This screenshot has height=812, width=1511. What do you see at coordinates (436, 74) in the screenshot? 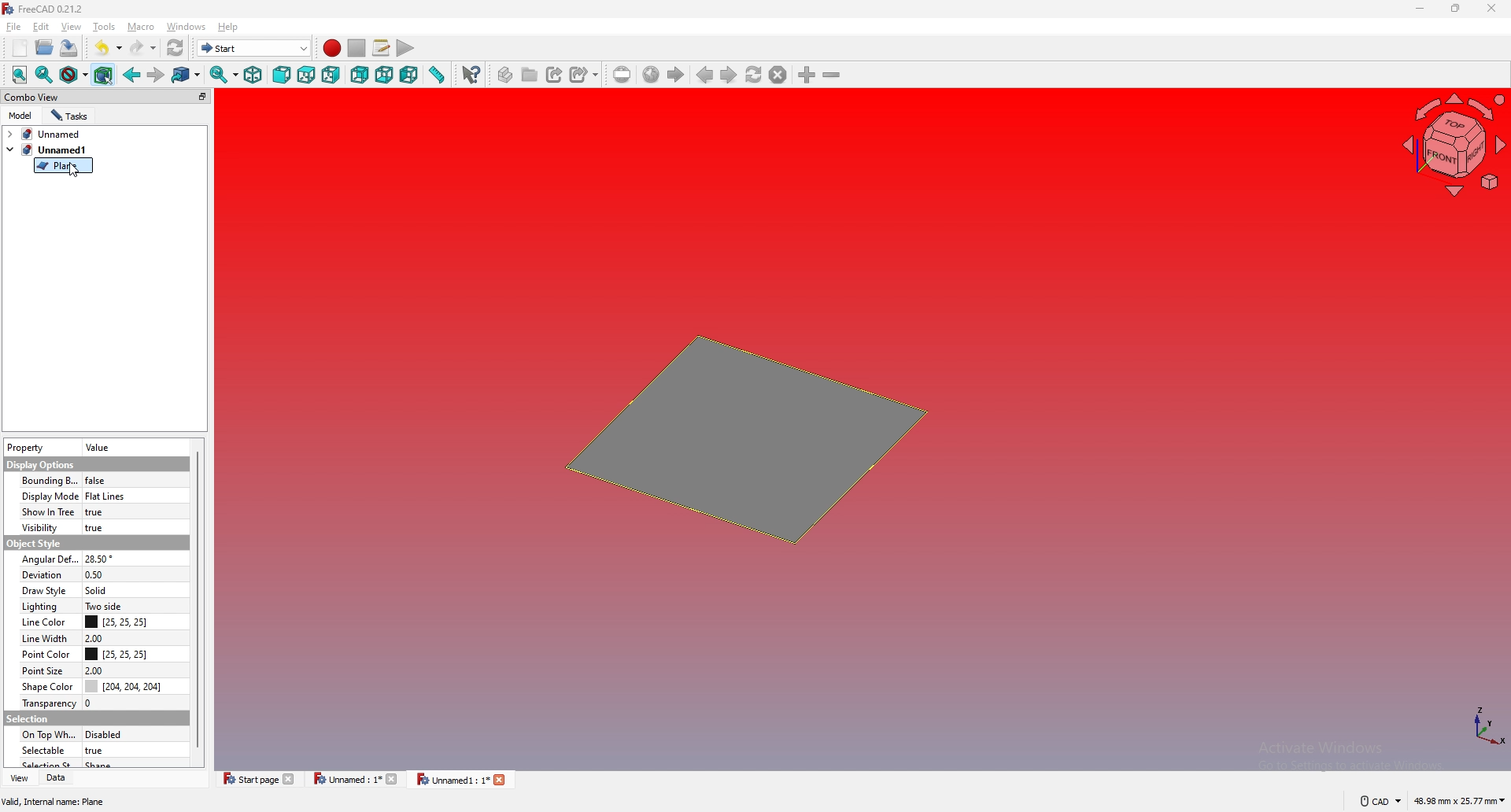
I see `measure distance` at bounding box center [436, 74].